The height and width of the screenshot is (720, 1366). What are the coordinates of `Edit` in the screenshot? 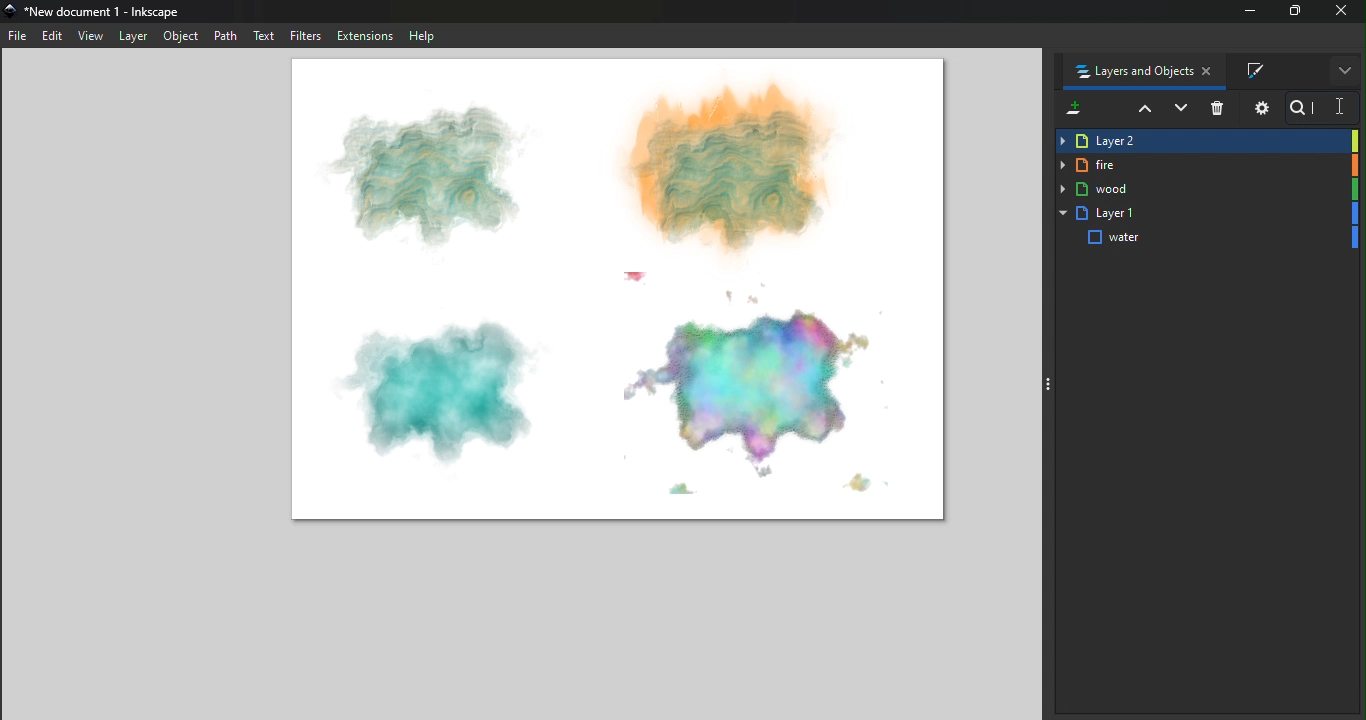 It's located at (53, 38).